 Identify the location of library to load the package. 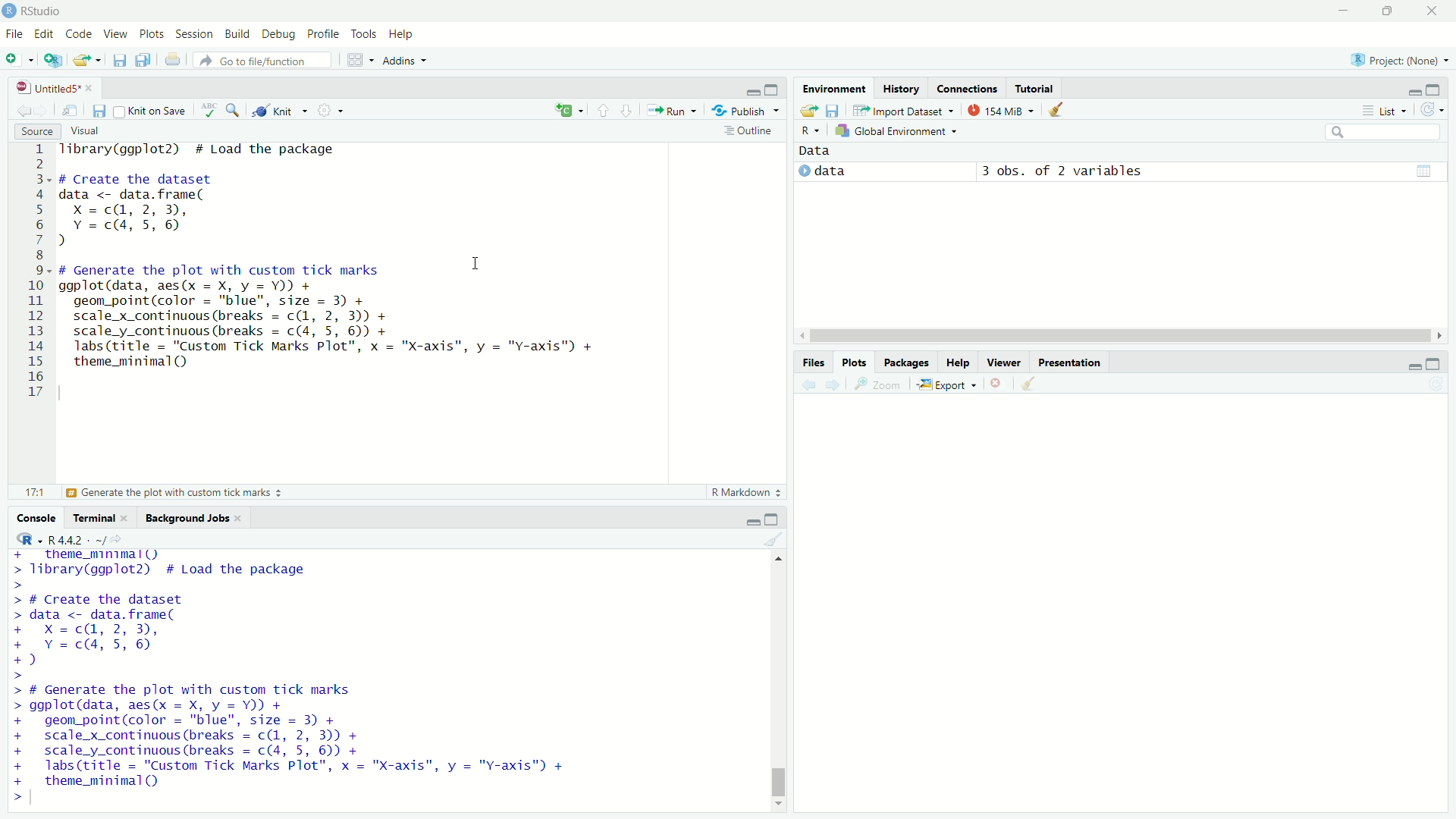
(204, 563).